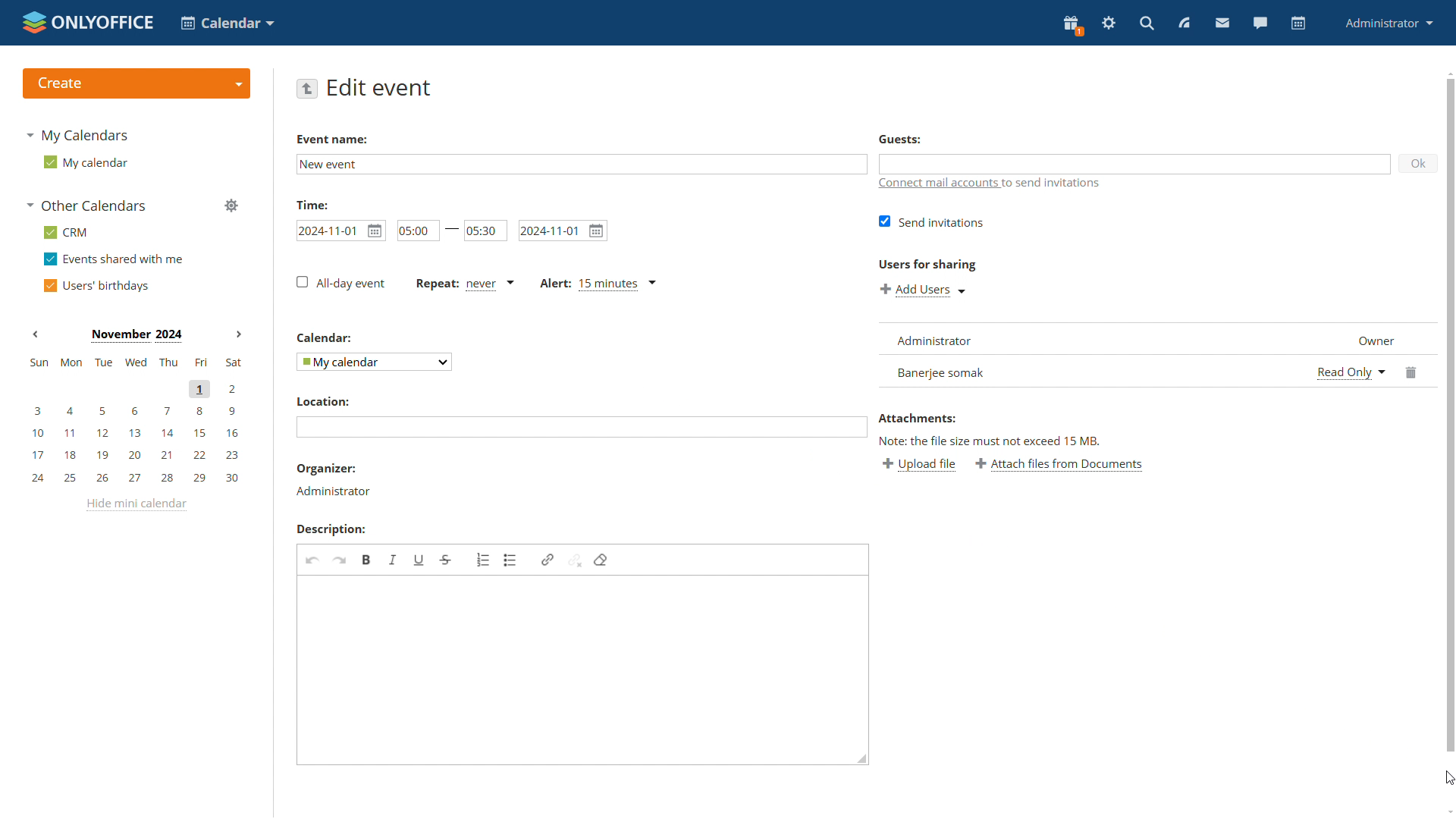  I want to click on italic, so click(394, 560).